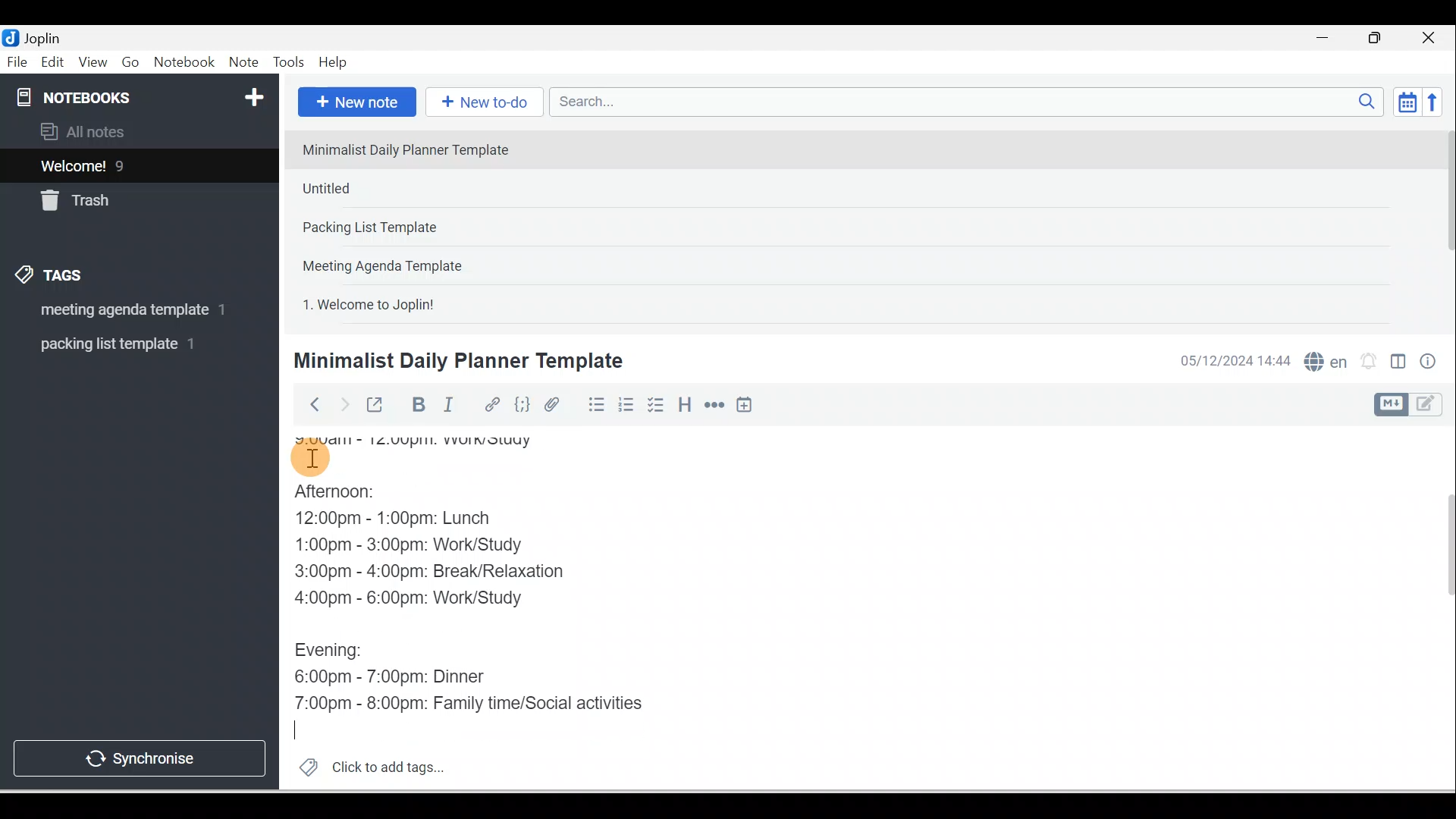 The image size is (1456, 819). What do you see at coordinates (366, 765) in the screenshot?
I see `Click to add tags` at bounding box center [366, 765].